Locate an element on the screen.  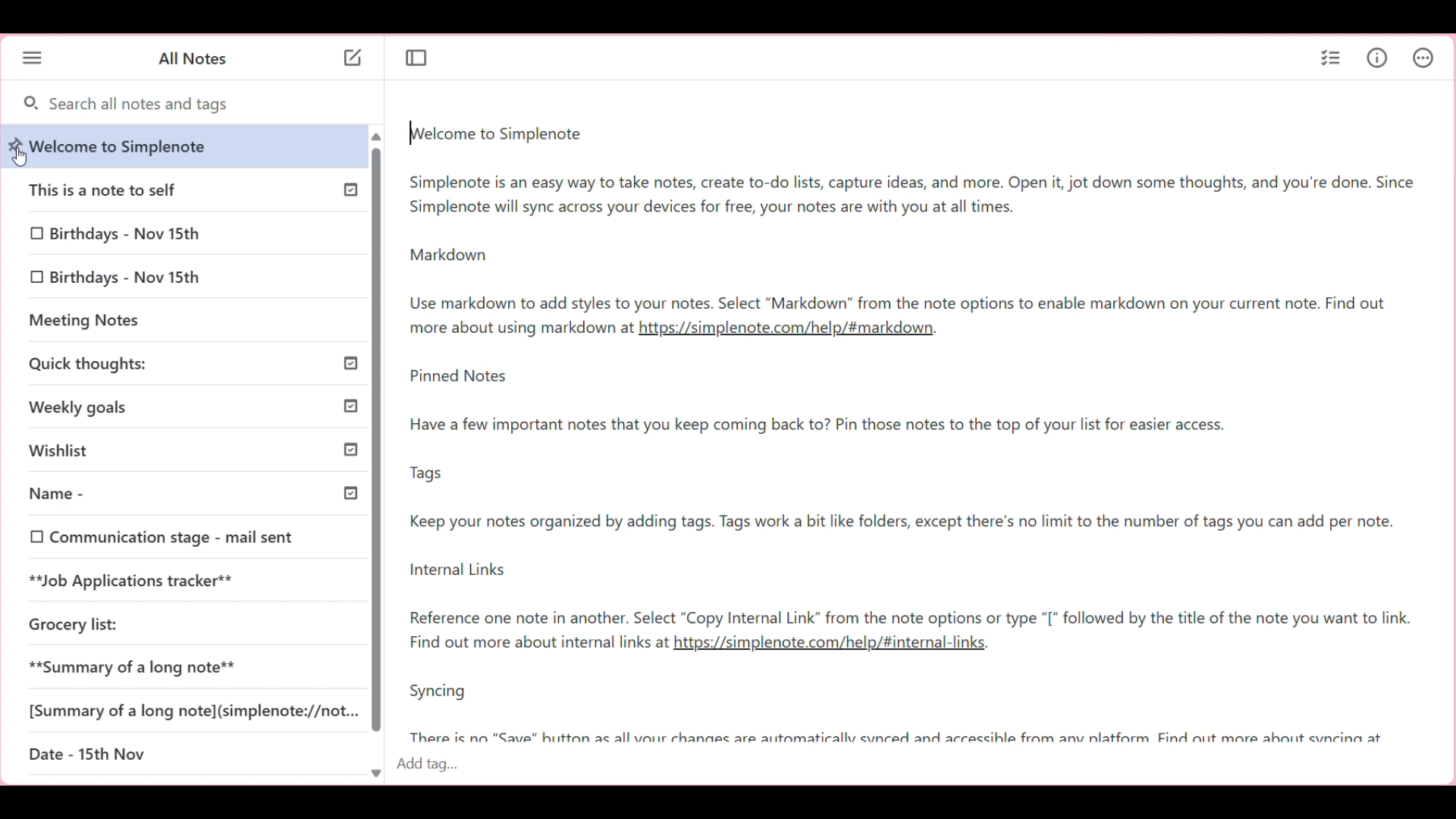
0 Birthdays - Nov 15th is located at coordinates (118, 277).